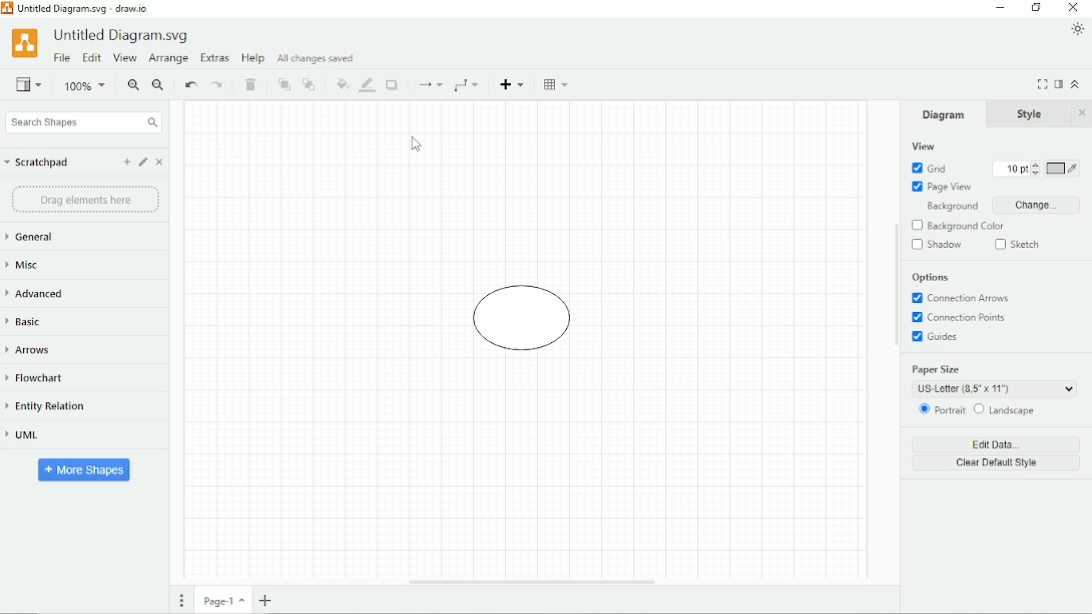 This screenshot has height=614, width=1092. What do you see at coordinates (1083, 113) in the screenshot?
I see `Close` at bounding box center [1083, 113].